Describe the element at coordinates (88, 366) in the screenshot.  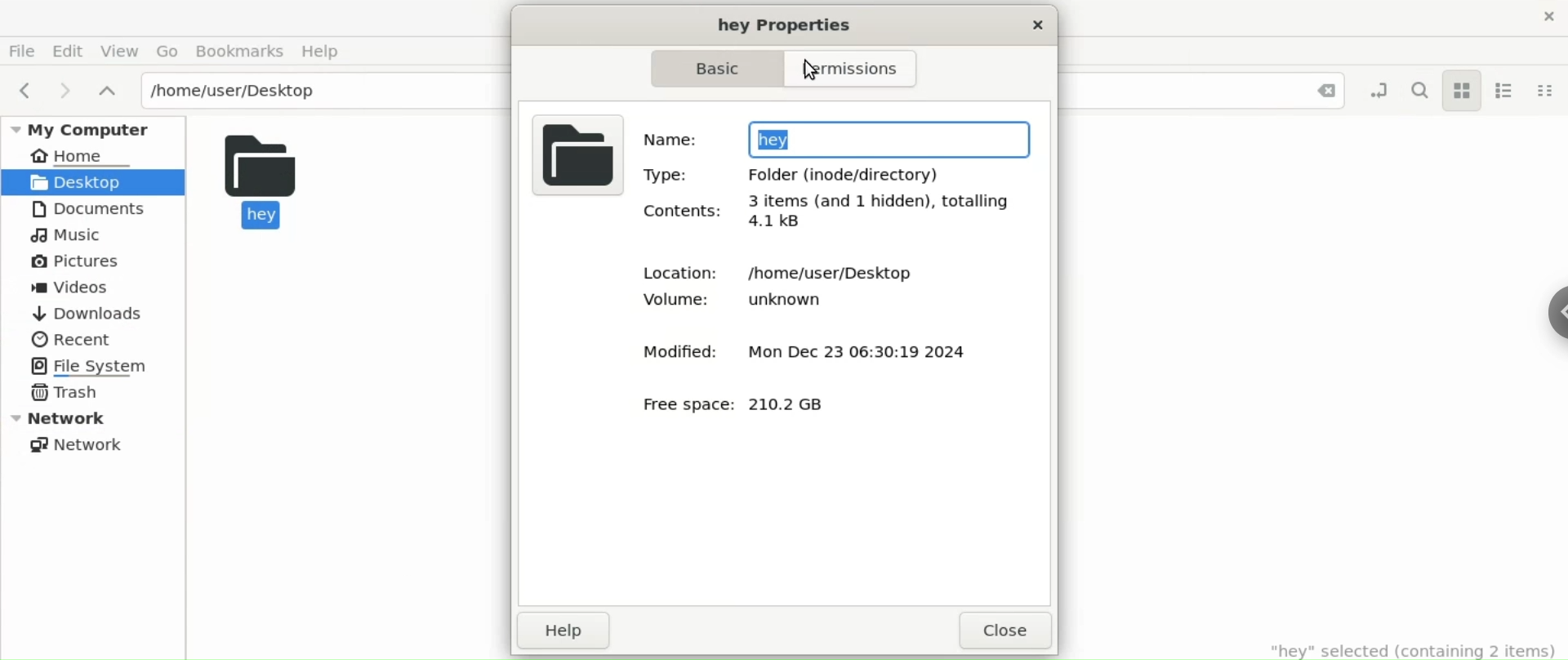
I see `File System` at that location.